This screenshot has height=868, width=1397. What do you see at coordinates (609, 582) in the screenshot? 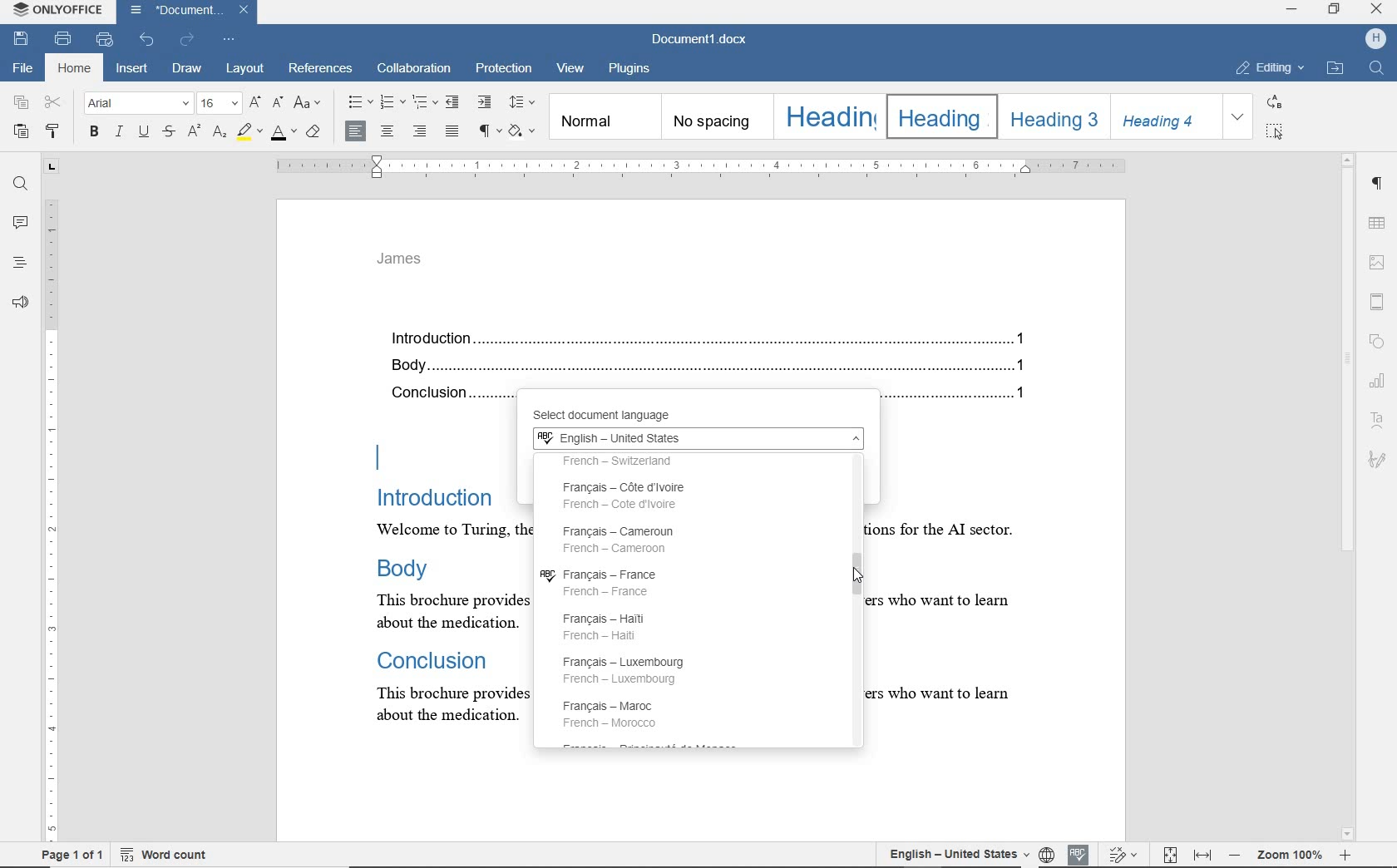
I see `François - France` at bounding box center [609, 582].